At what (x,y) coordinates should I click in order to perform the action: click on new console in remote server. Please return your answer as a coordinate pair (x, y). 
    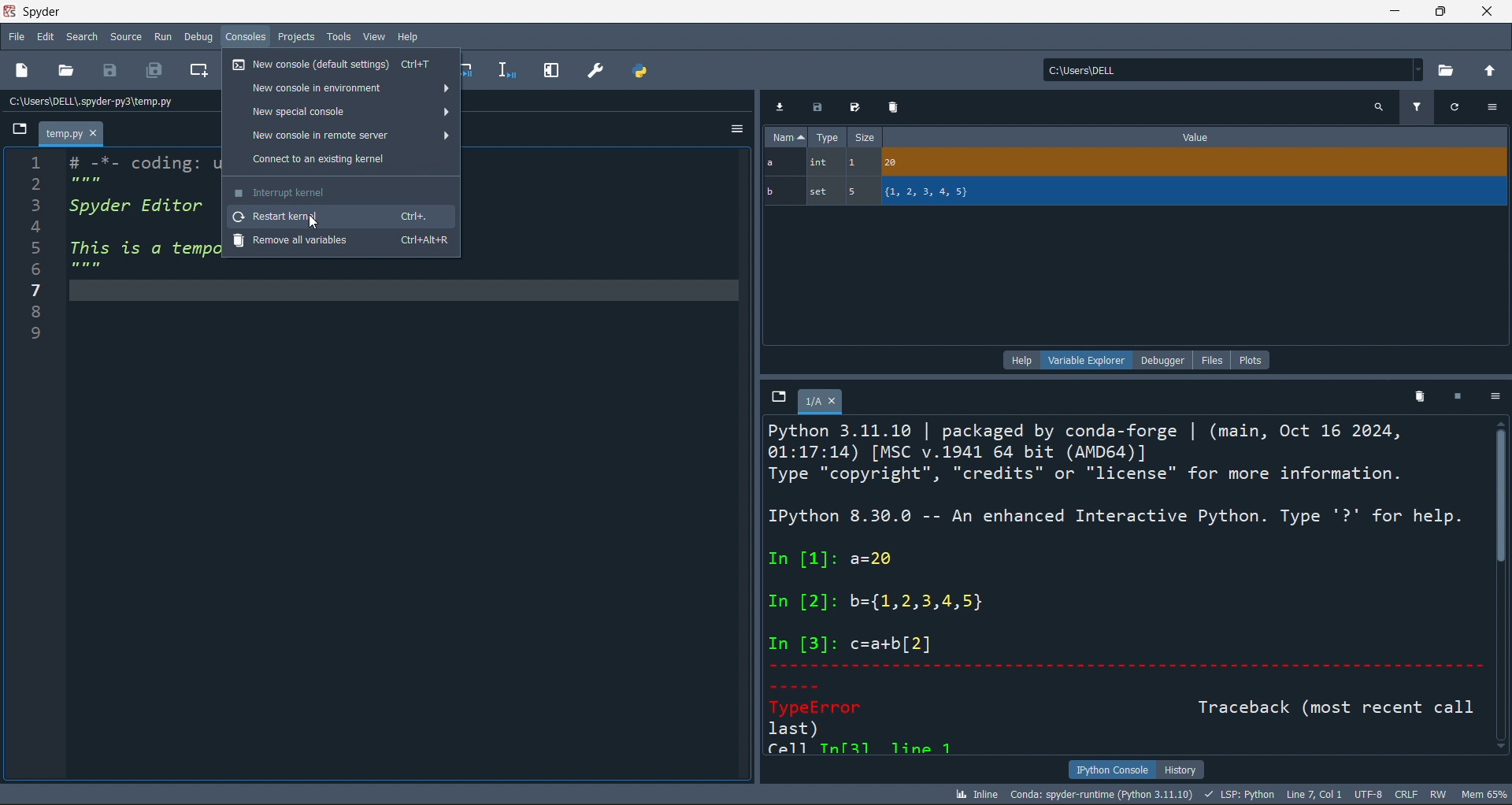
    Looking at the image, I should click on (341, 136).